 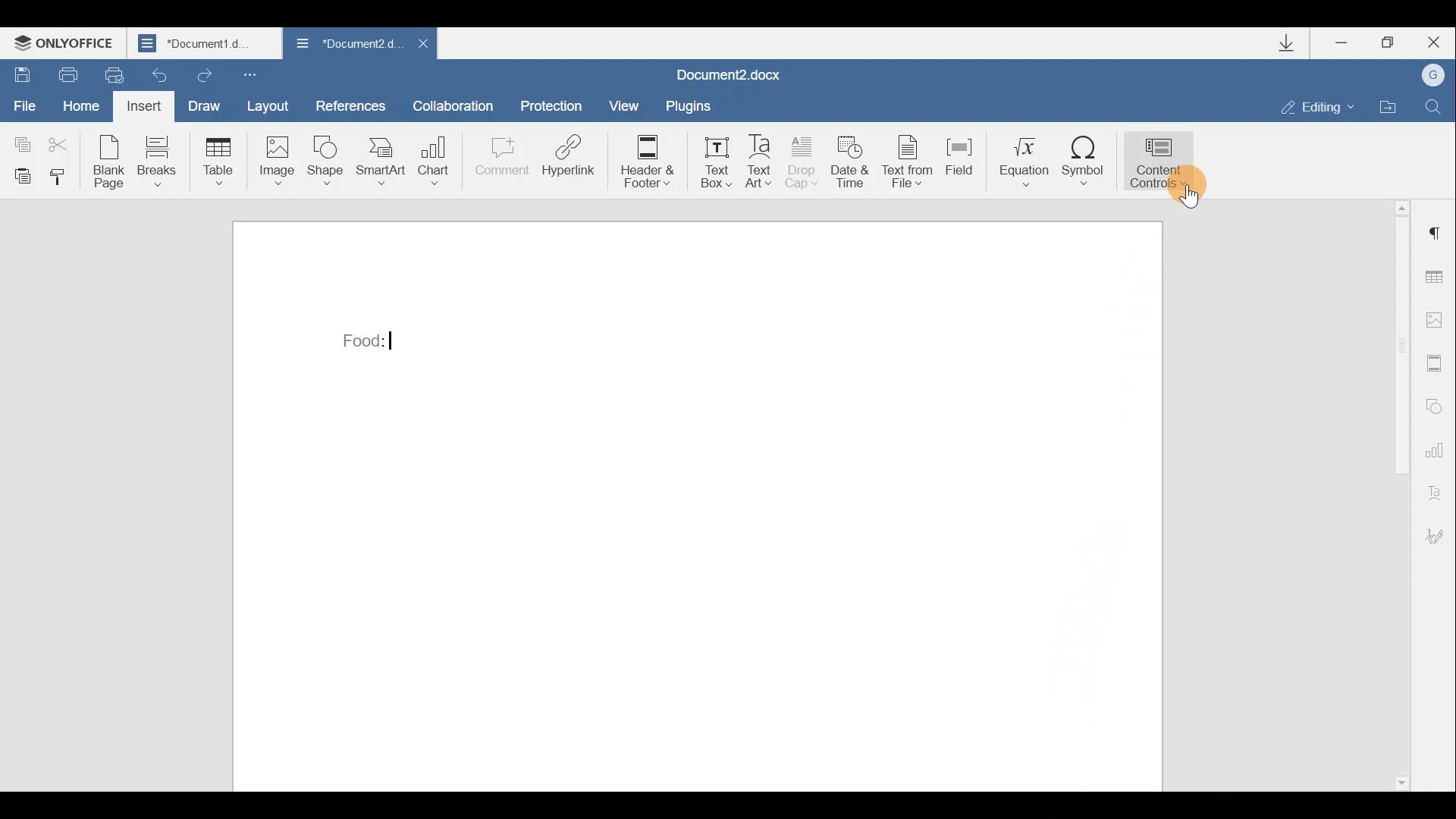 I want to click on Scroll bar, so click(x=1397, y=493).